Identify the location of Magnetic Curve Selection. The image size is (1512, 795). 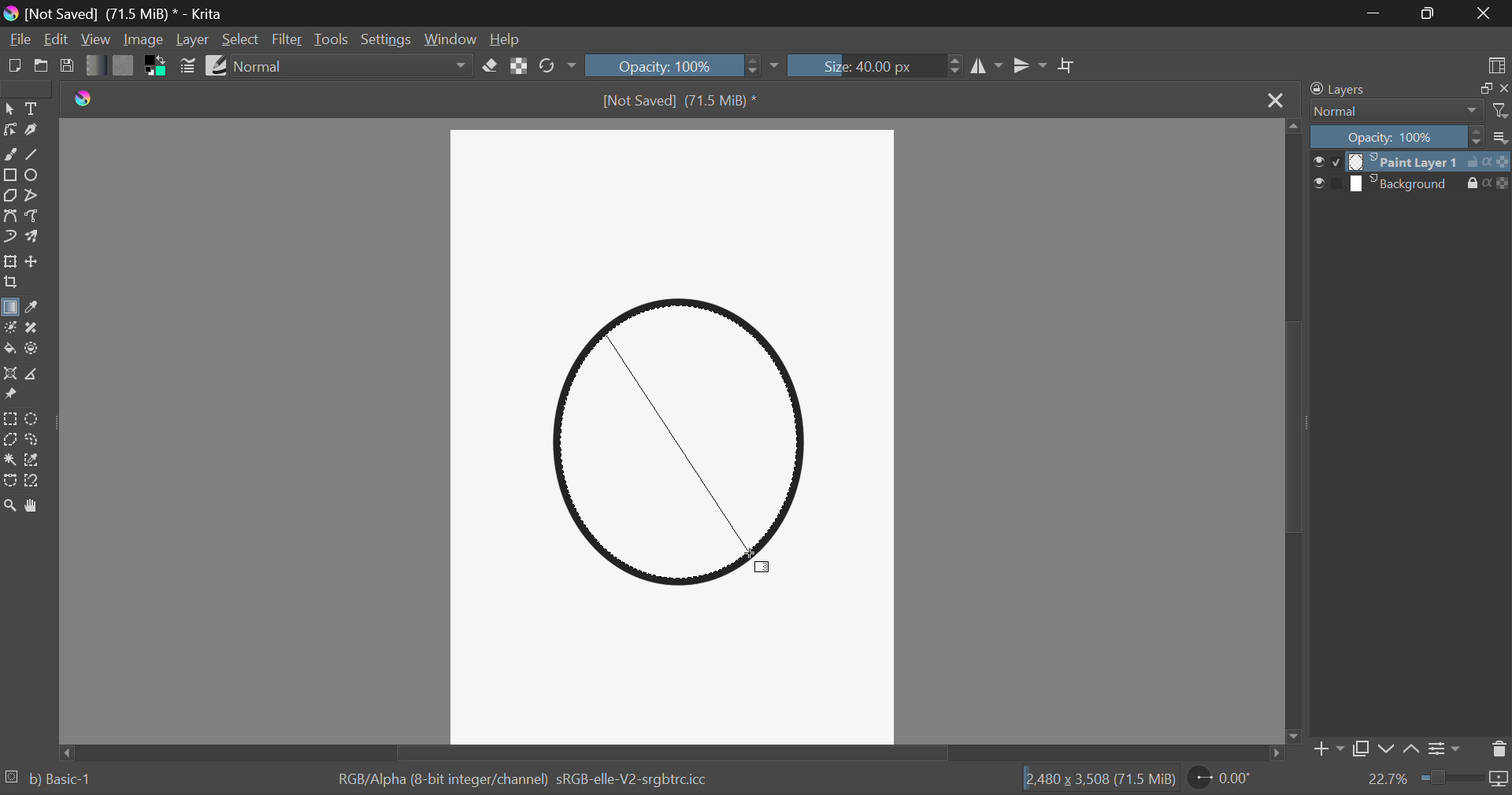
(37, 483).